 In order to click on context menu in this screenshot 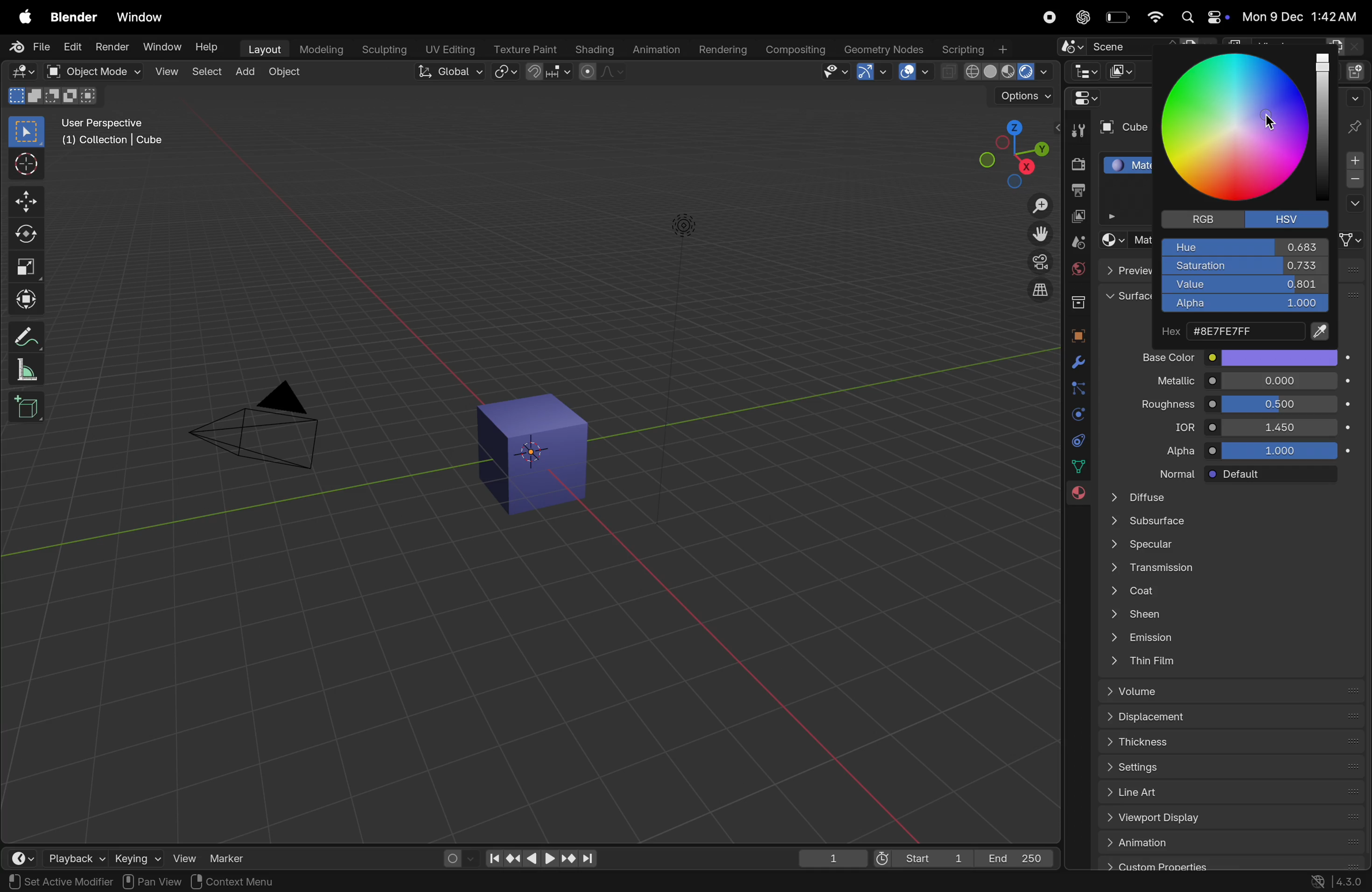, I will do `click(247, 881)`.